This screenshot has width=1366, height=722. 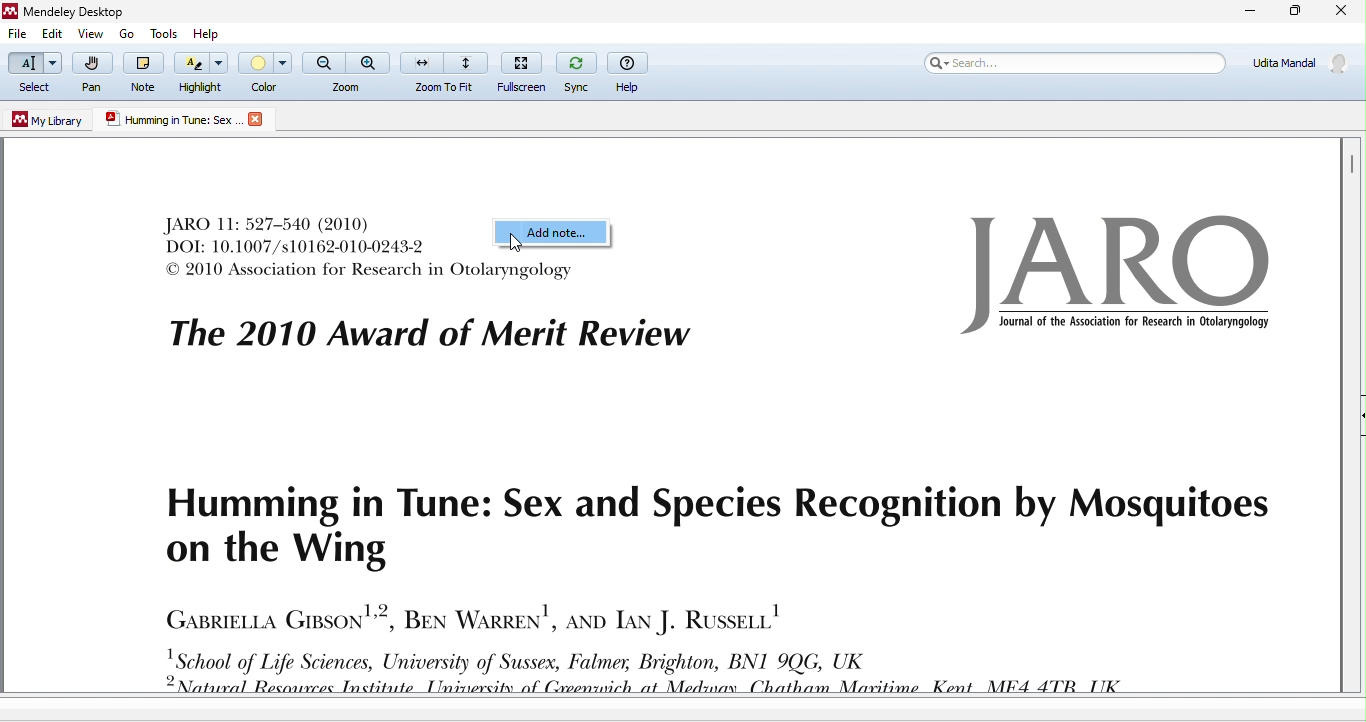 I want to click on file, so click(x=19, y=36).